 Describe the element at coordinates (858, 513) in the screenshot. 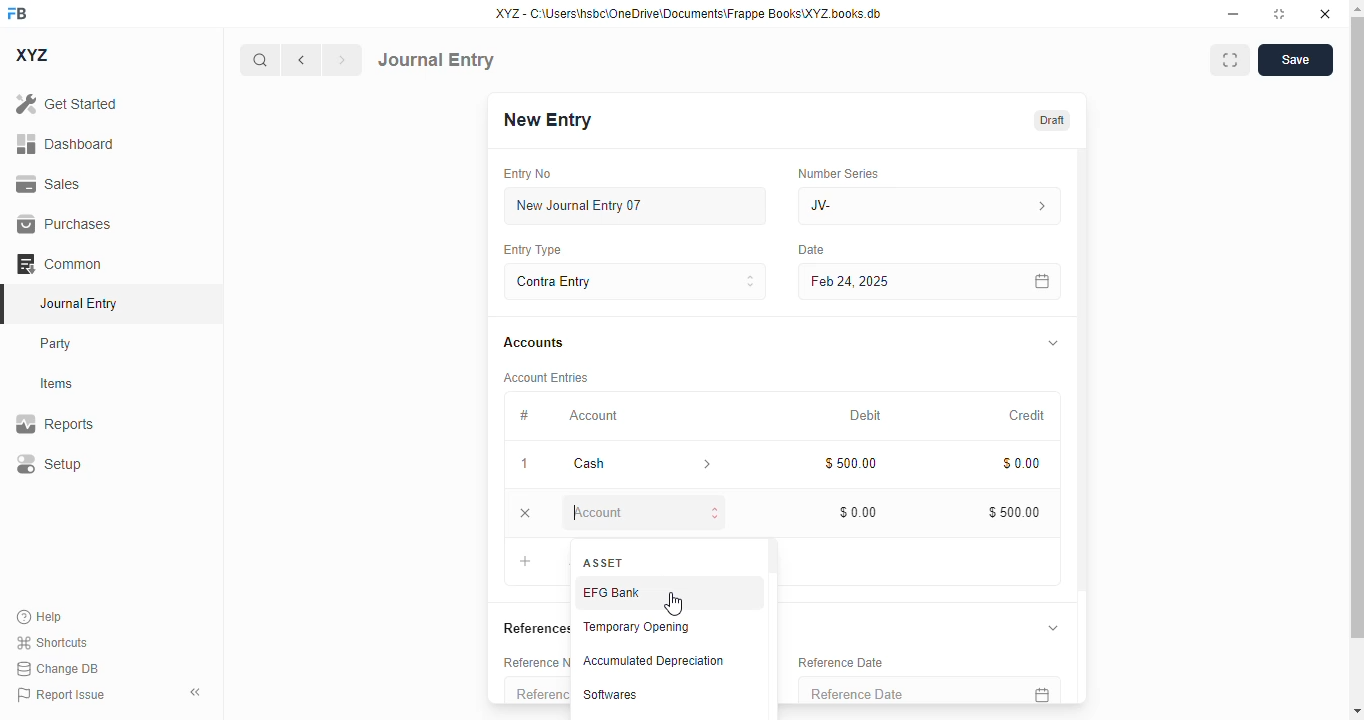

I see `$0.00` at that location.